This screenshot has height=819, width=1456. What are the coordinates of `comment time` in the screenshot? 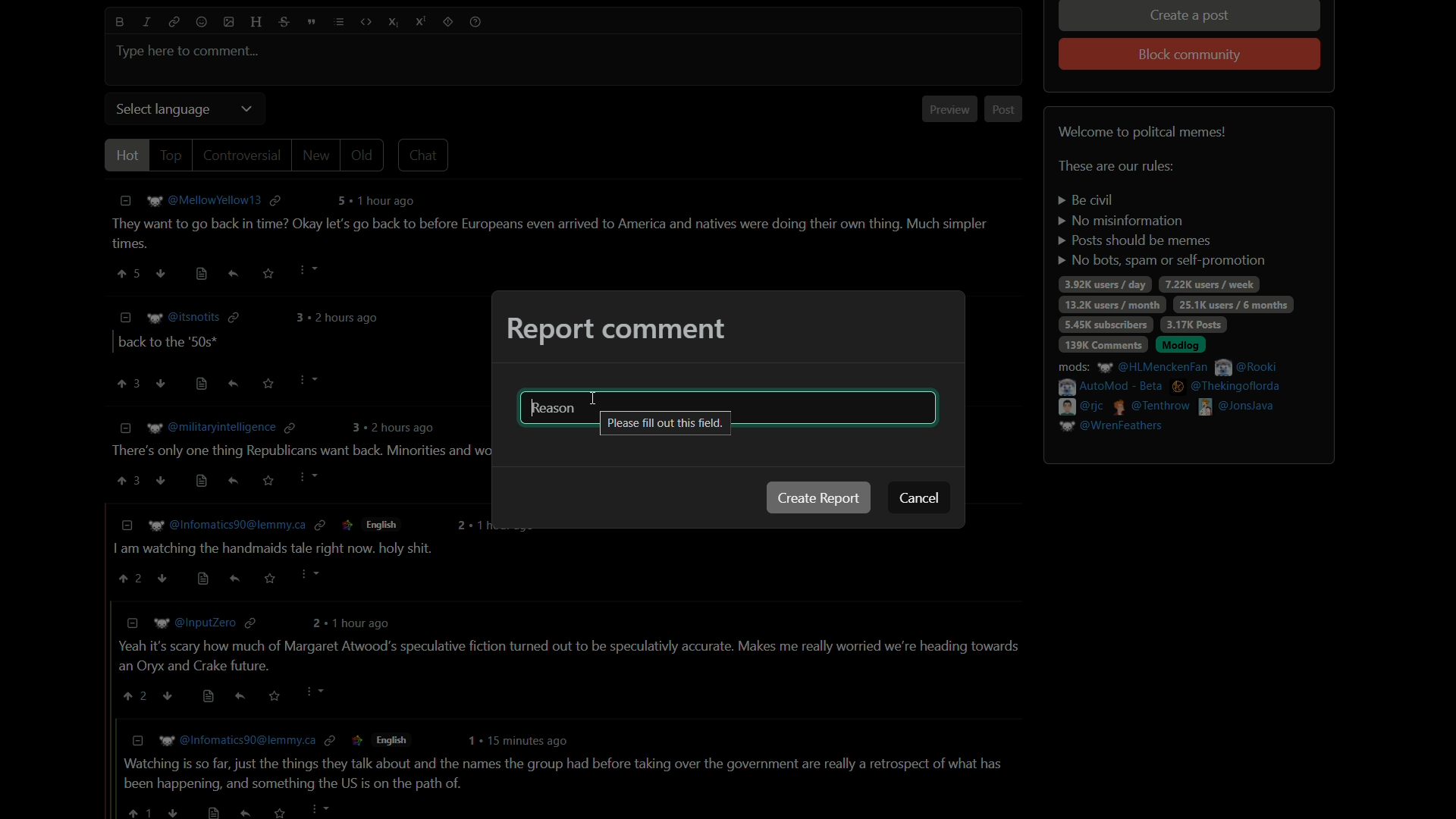 It's located at (340, 318).